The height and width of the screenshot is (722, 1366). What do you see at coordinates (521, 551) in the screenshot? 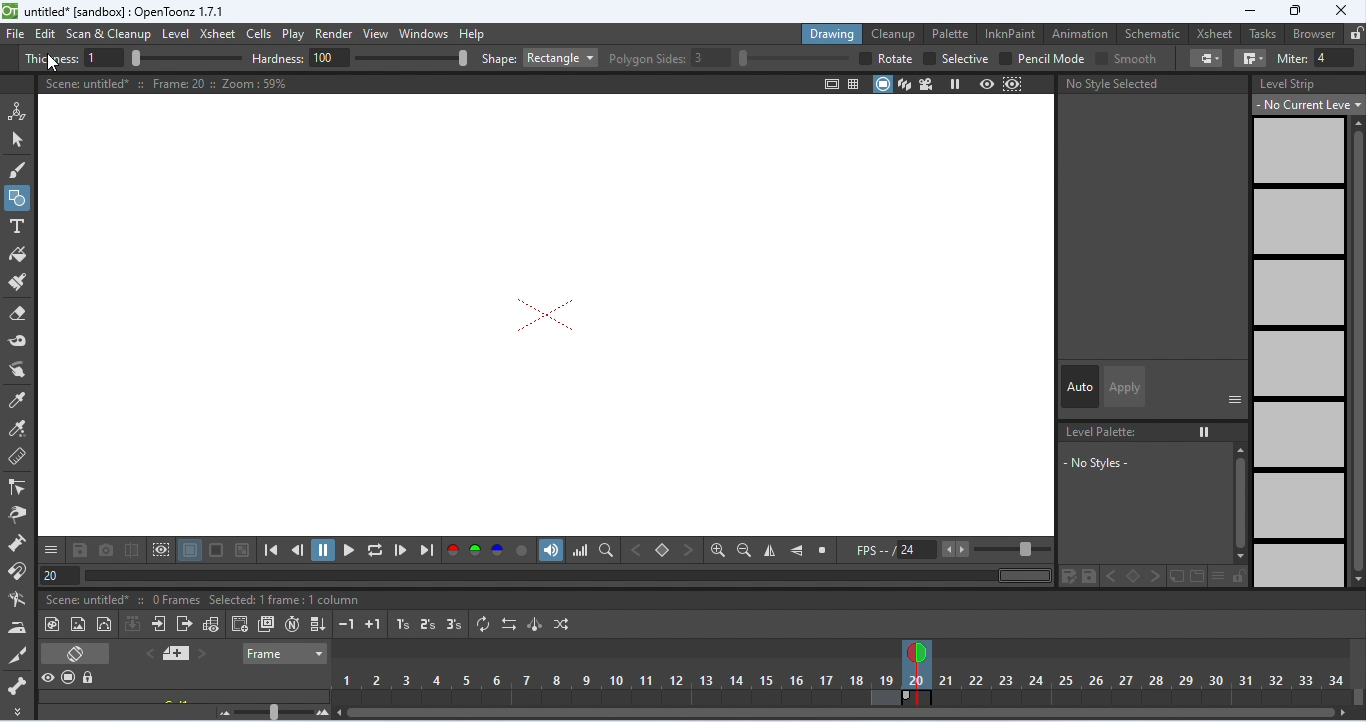
I see `alpha channel ` at bounding box center [521, 551].